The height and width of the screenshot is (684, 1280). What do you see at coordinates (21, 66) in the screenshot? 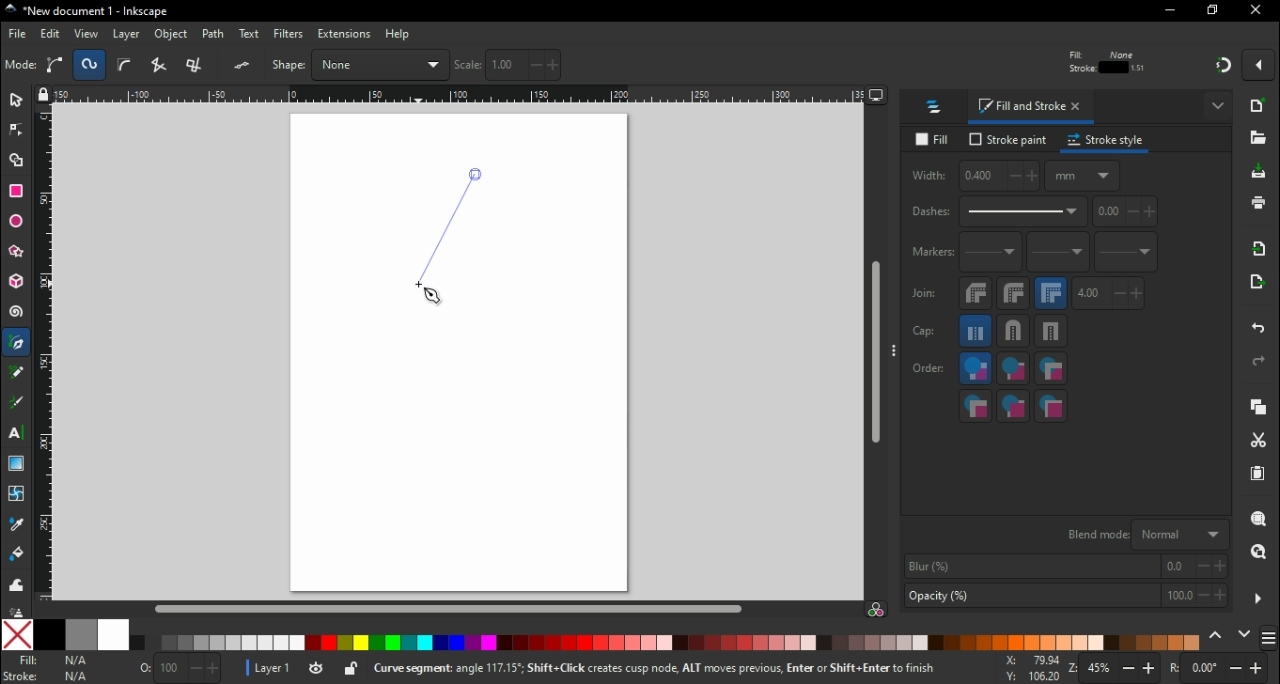
I see `mode` at bounding box center [21, 66].